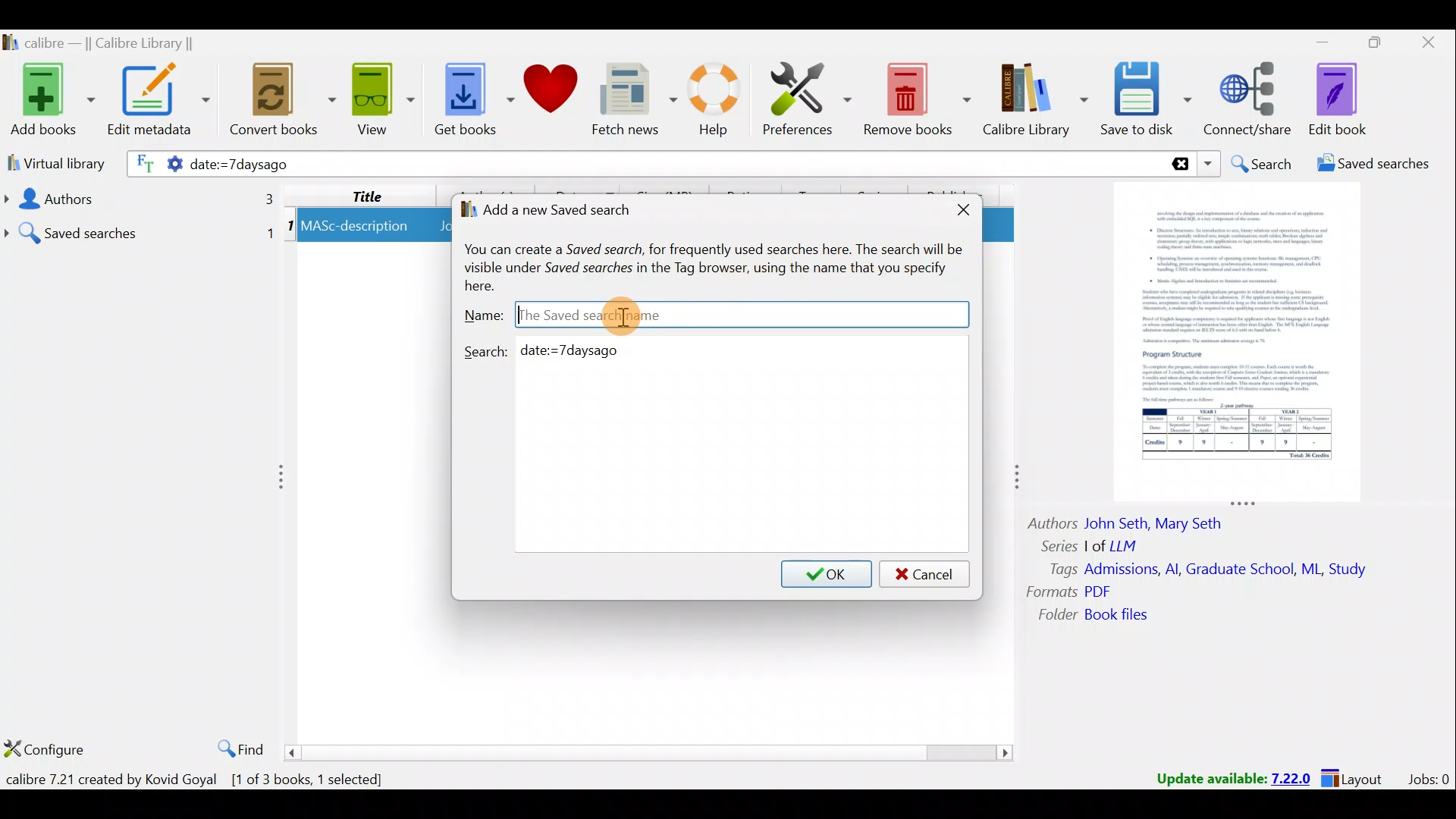 This screenshot has height=819, width=1456. I want to click on date:=7daysago, so click(379, 165).